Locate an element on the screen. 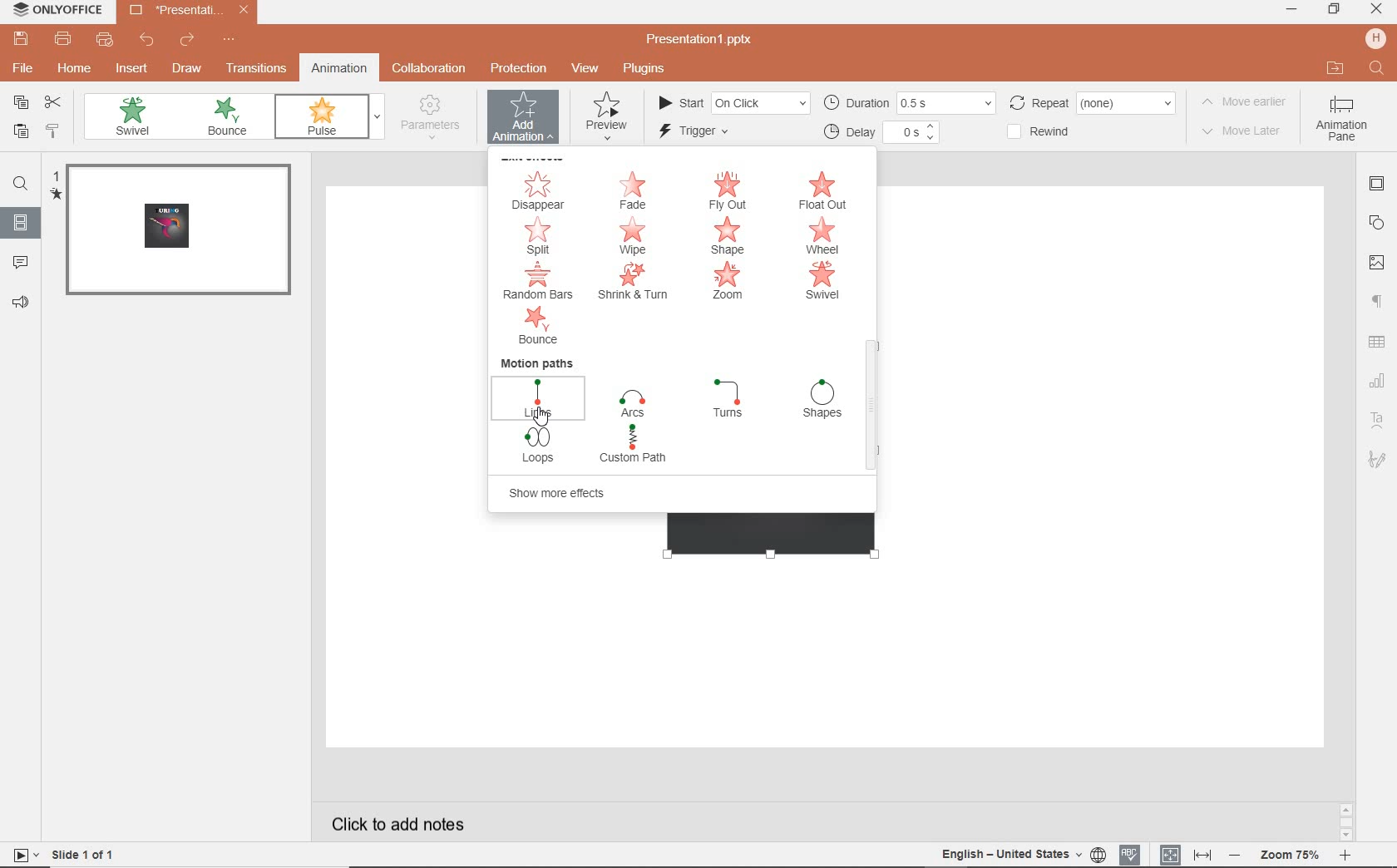 This screenshot has height=868, width=1397. feedback & support is located at coordinates (20, 303).